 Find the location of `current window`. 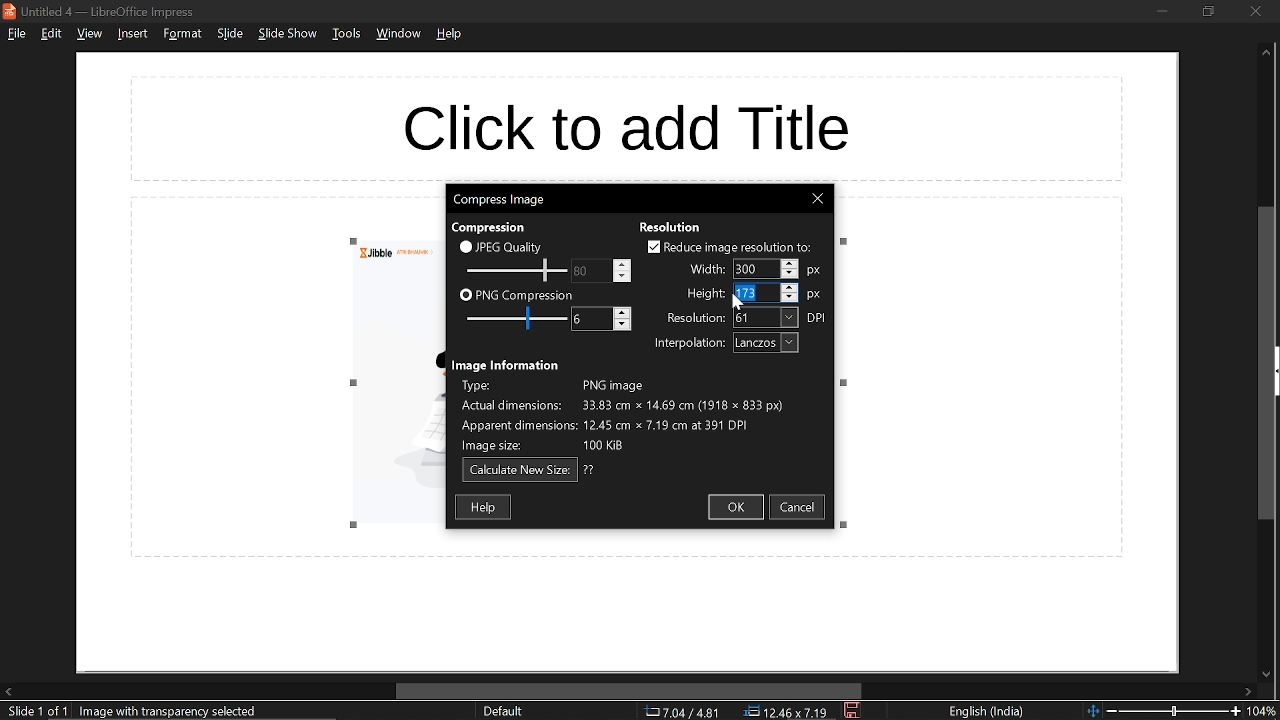

current window is located at coordinates (102, 10).